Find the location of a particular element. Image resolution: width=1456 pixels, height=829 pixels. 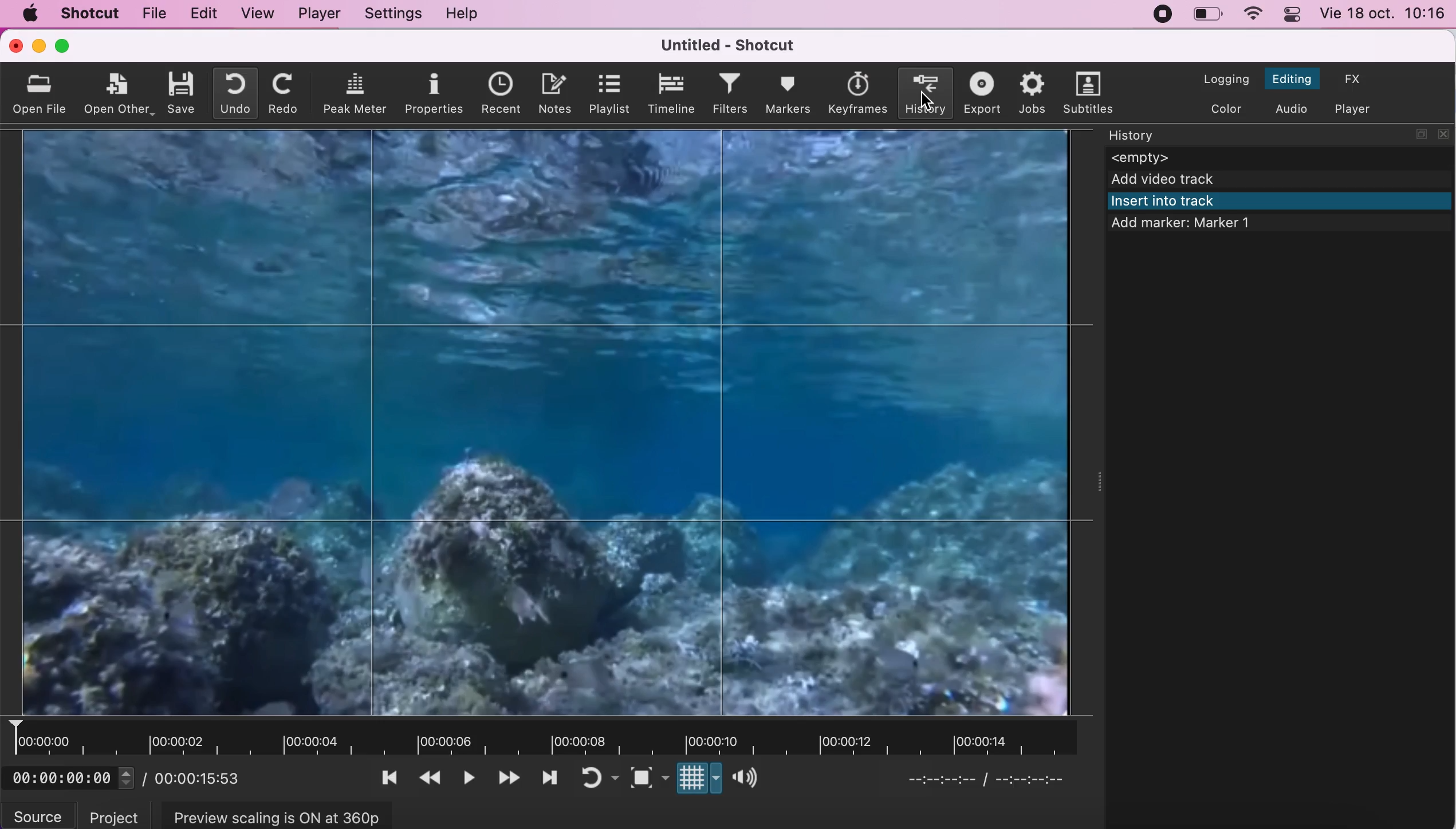

minimize is located at coordinates (38, 47).